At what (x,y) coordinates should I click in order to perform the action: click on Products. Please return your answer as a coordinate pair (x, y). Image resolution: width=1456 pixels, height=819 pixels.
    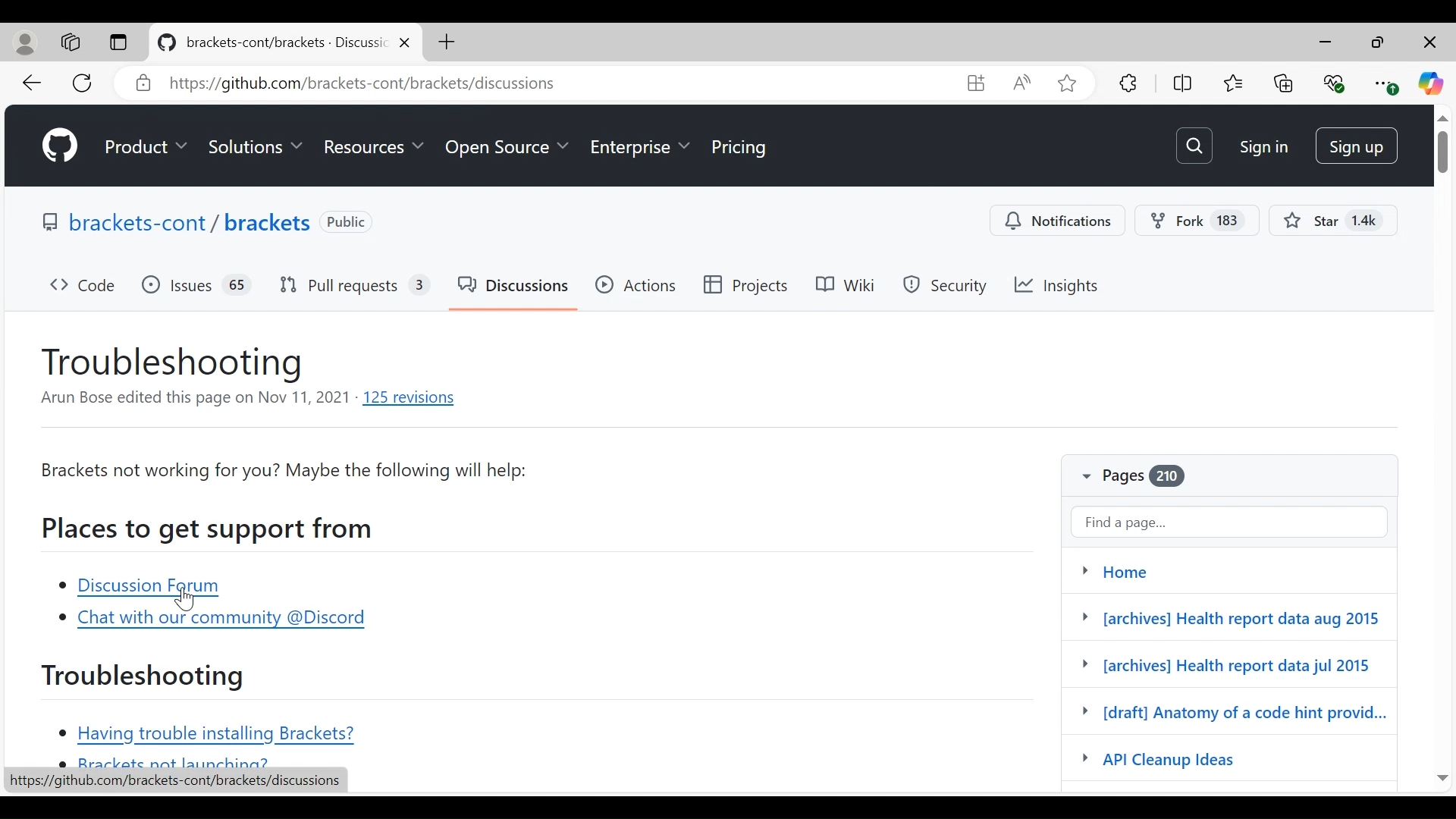
    Looking at the image, I should click on (148, 148).